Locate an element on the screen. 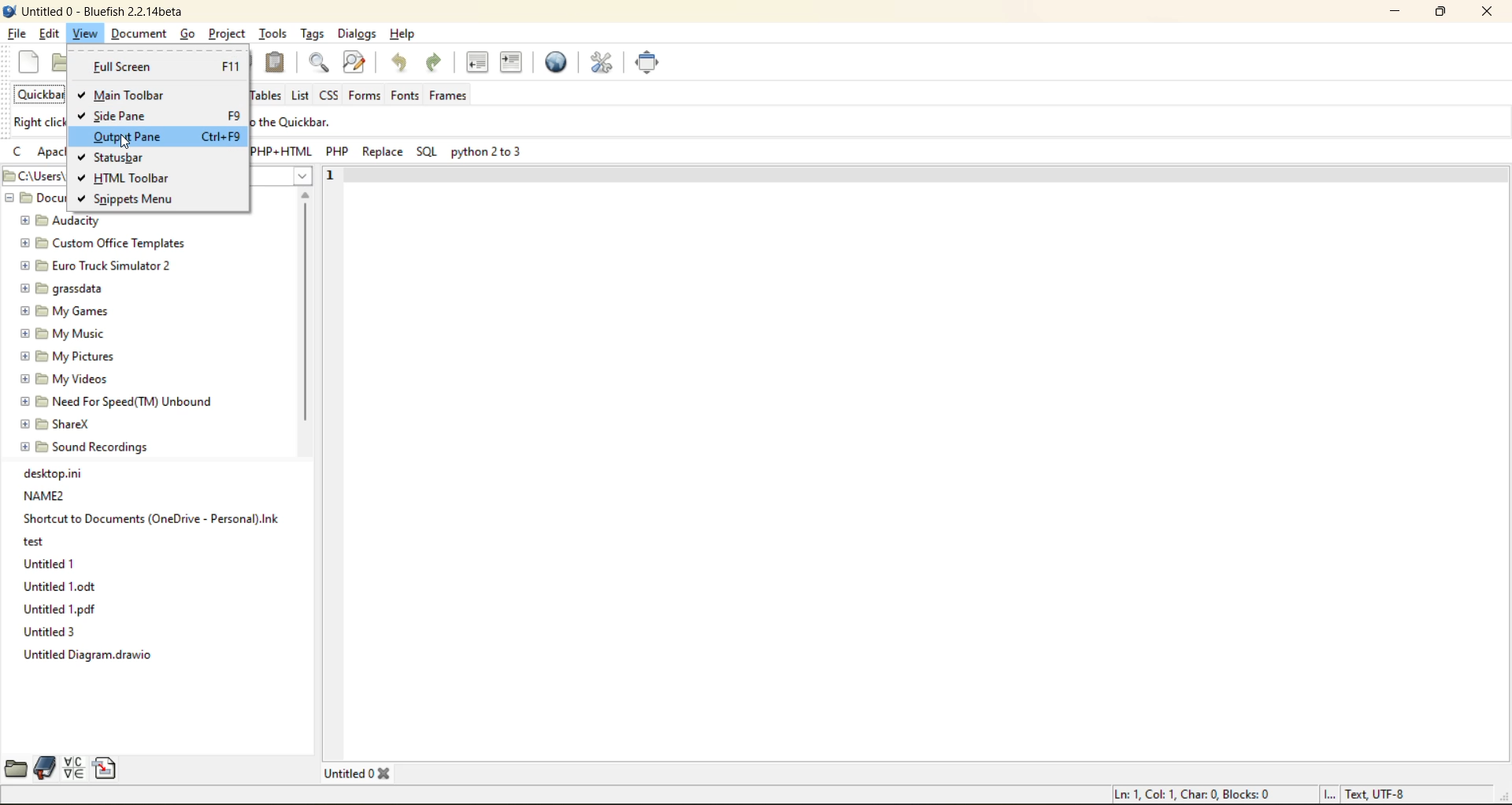 The image size is (1512, 805). file is located at coordinates (16, 33).